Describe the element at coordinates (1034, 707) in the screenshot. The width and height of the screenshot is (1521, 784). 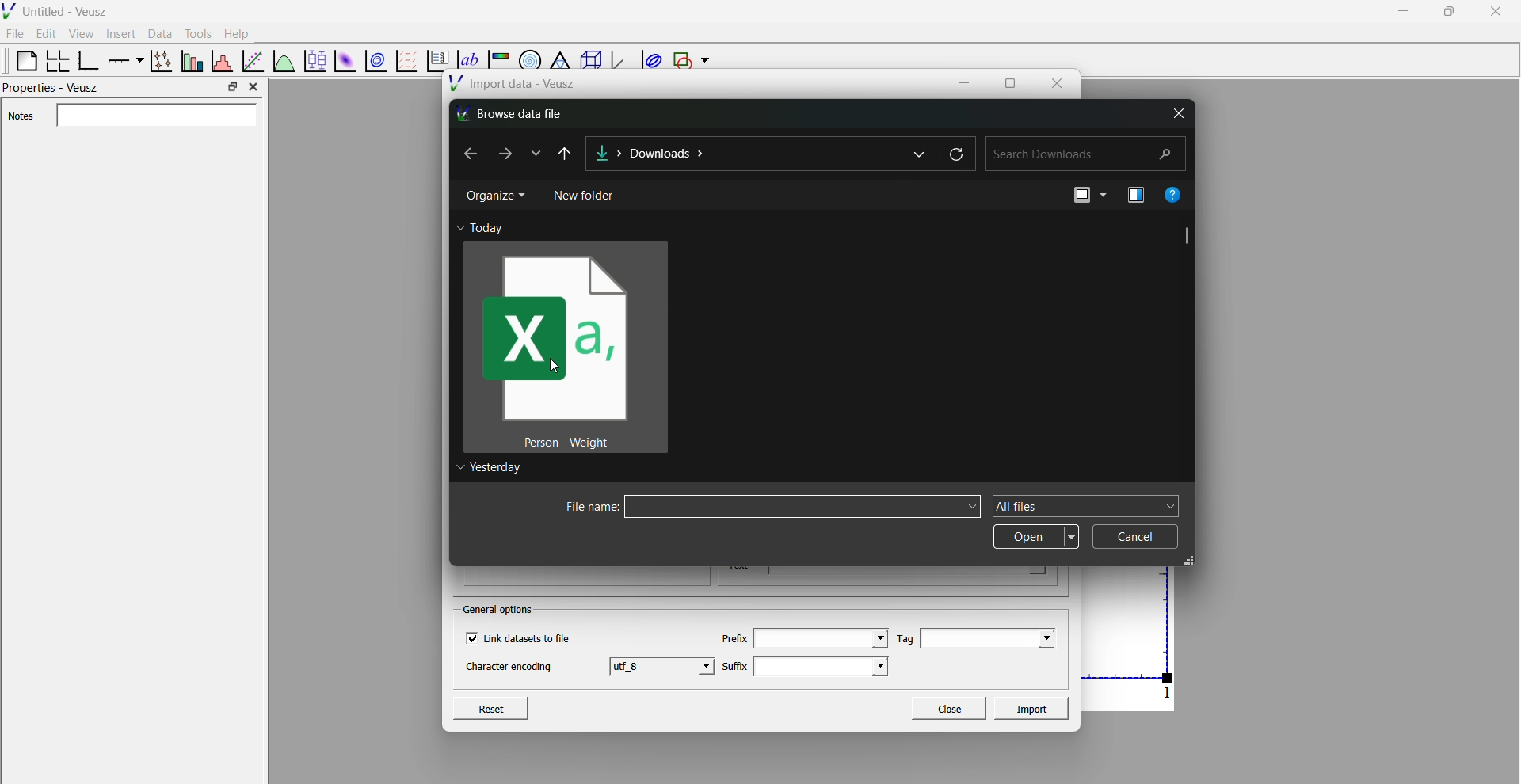
I see `Import` at that location.